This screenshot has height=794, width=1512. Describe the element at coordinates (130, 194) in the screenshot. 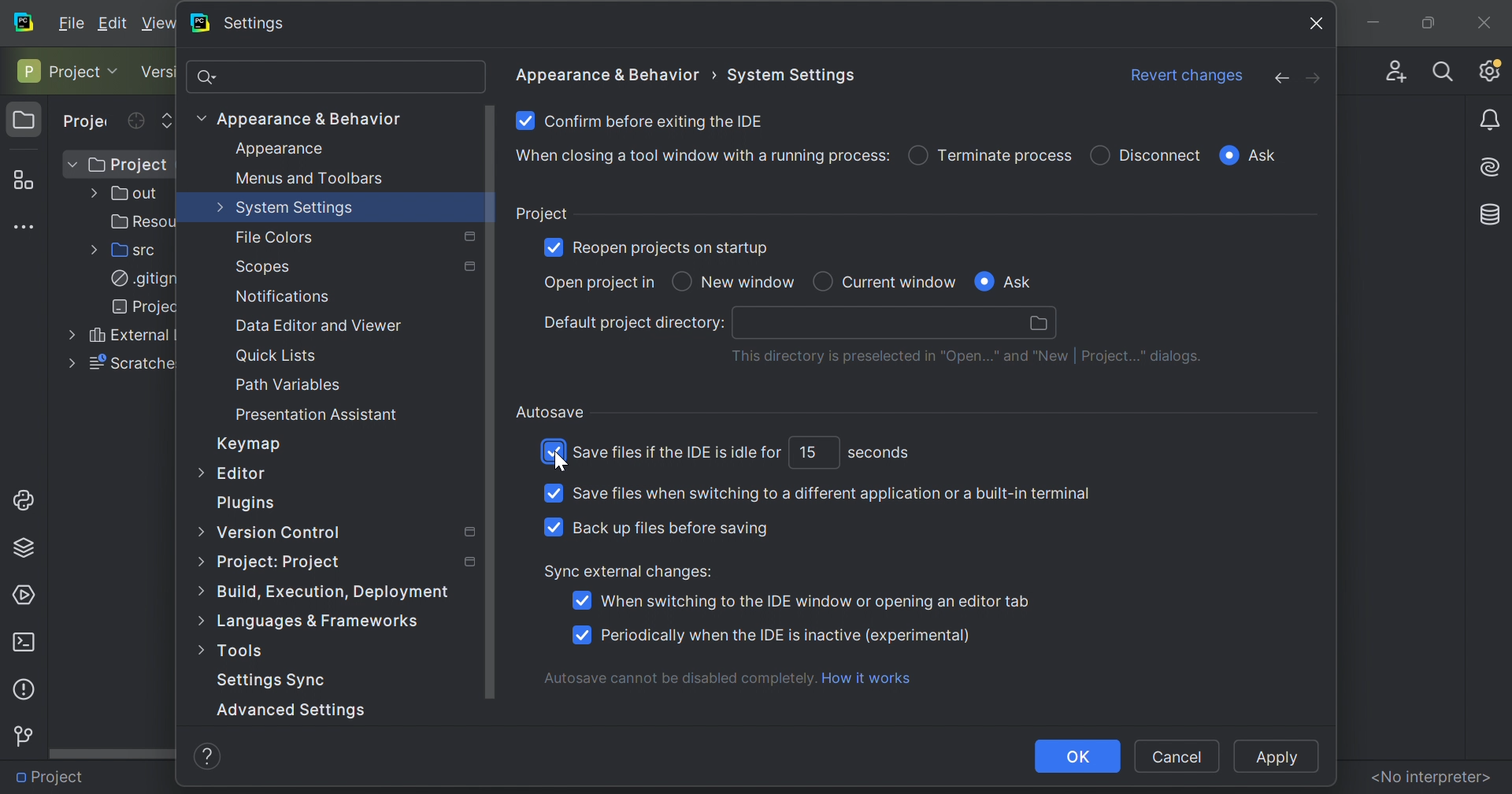

I see `out` at that location.